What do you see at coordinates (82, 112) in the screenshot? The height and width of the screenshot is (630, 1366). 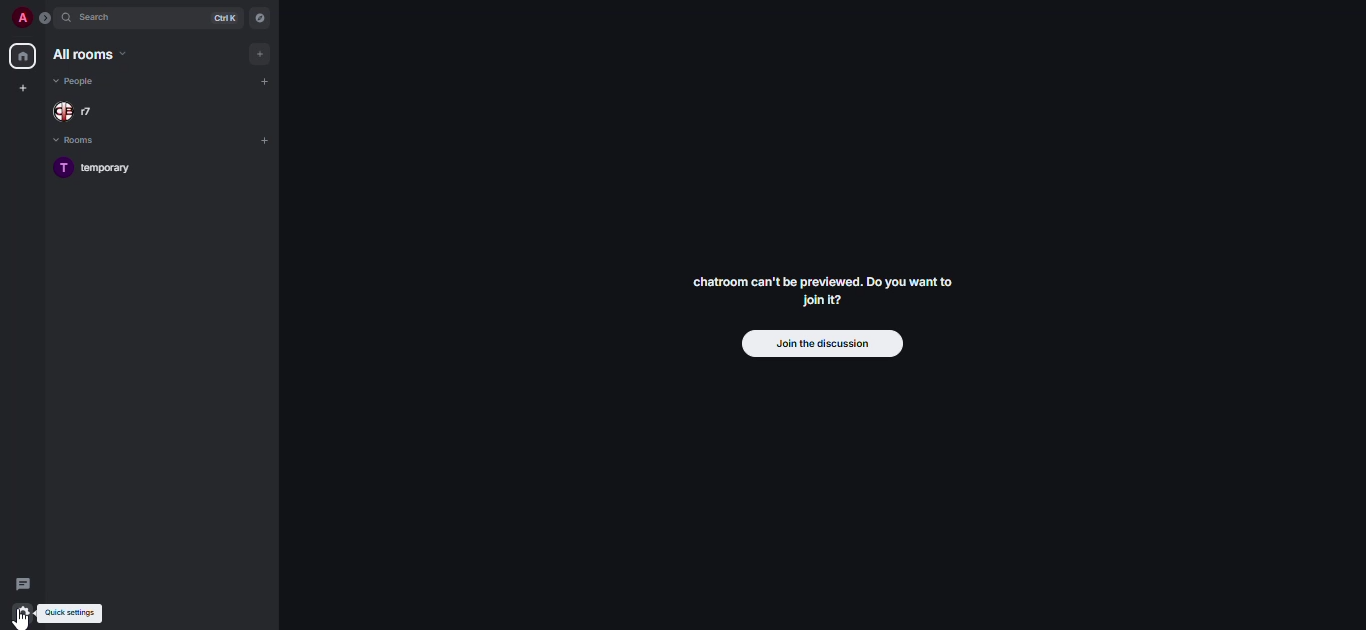 I see `people` at bounding box center [82, 112].